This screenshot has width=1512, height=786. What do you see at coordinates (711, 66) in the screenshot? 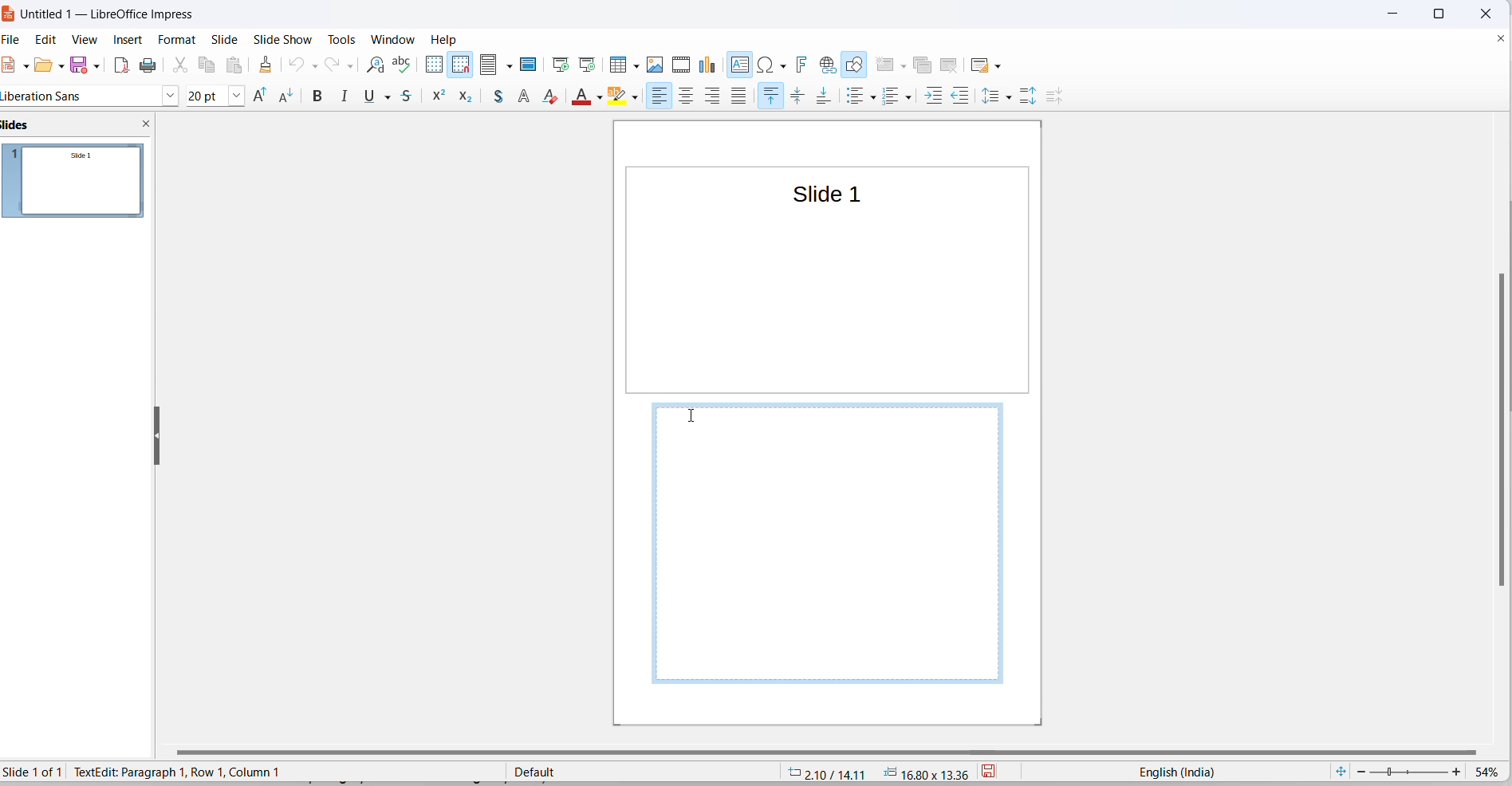
I see `insert chart` at bounding box center [711, 66].